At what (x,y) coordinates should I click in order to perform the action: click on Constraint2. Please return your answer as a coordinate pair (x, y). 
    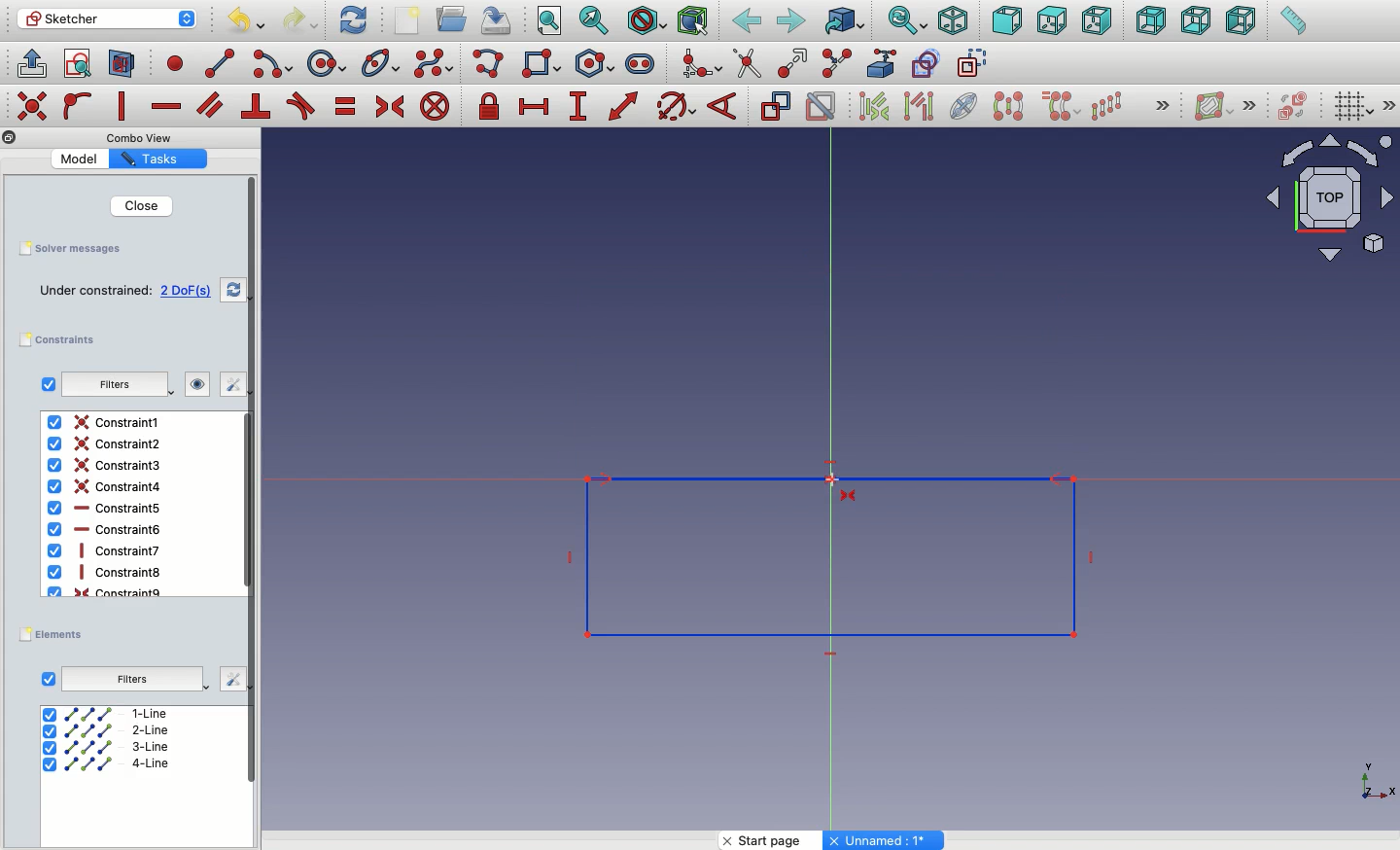
    Looking at the image, I should click on (103, 443).